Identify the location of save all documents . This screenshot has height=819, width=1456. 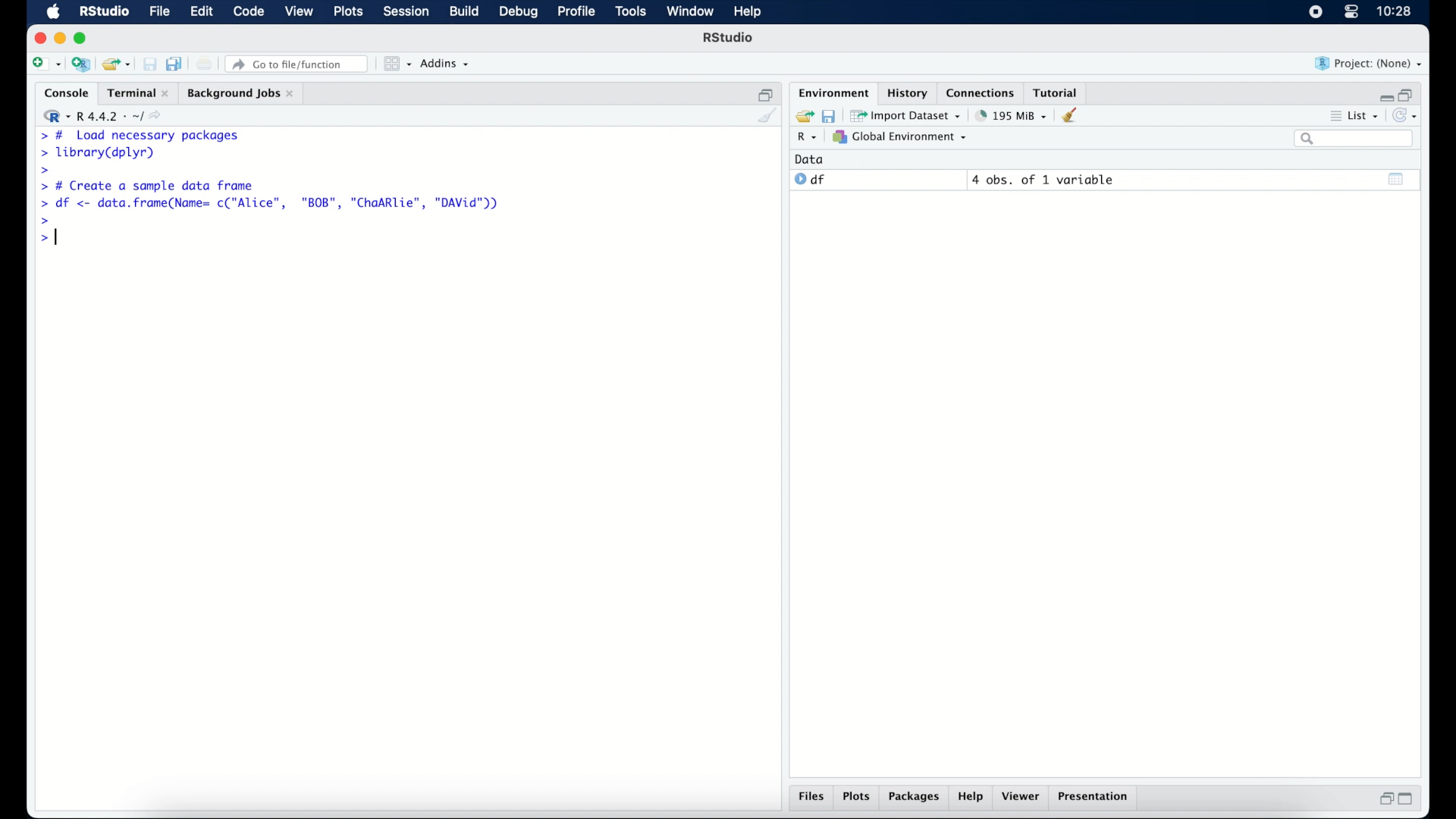
(176, 63).